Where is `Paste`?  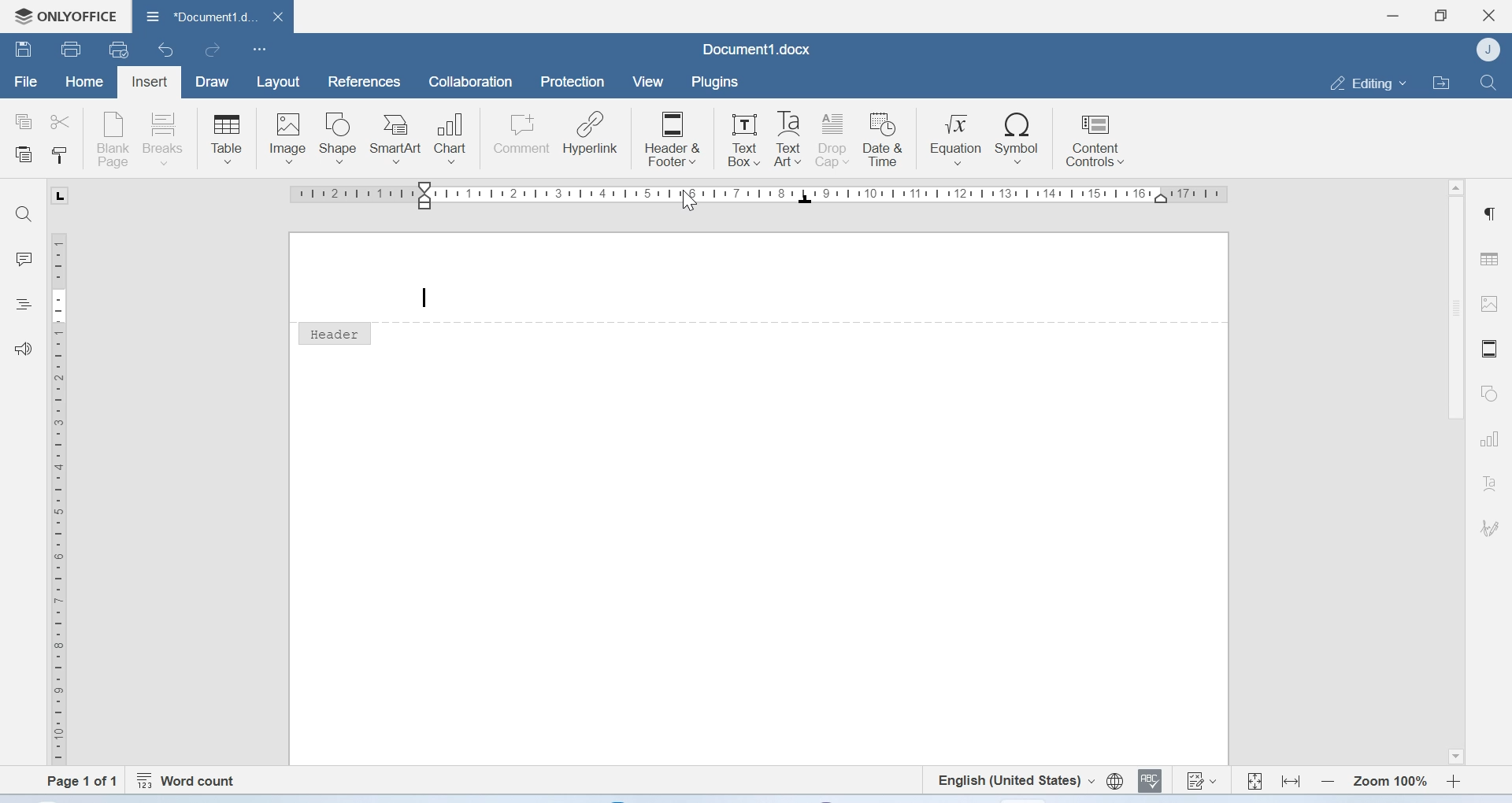 Paste is located at coordinates (24, 156).